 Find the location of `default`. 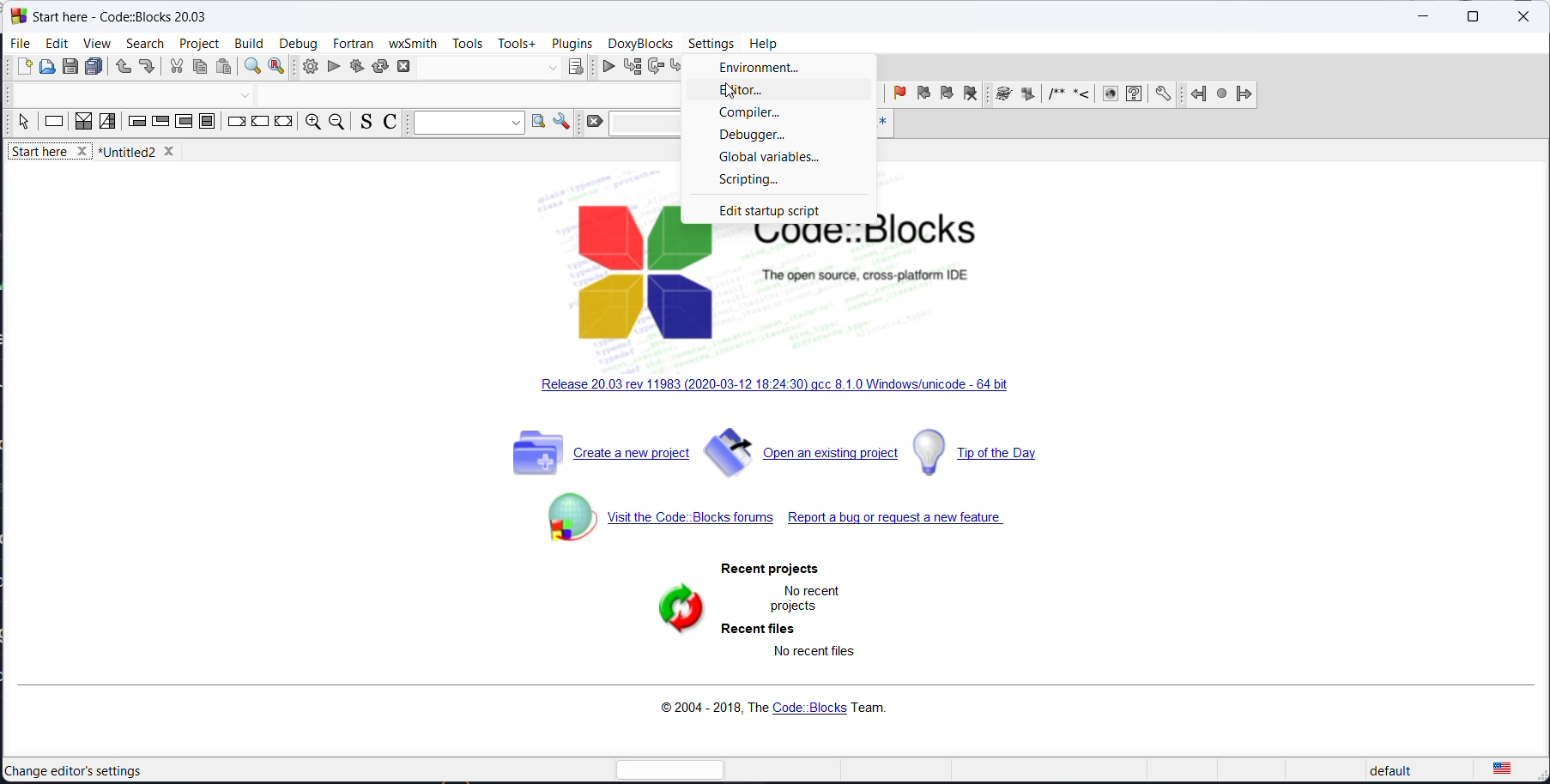

default is located at coordinates (1391, 767).